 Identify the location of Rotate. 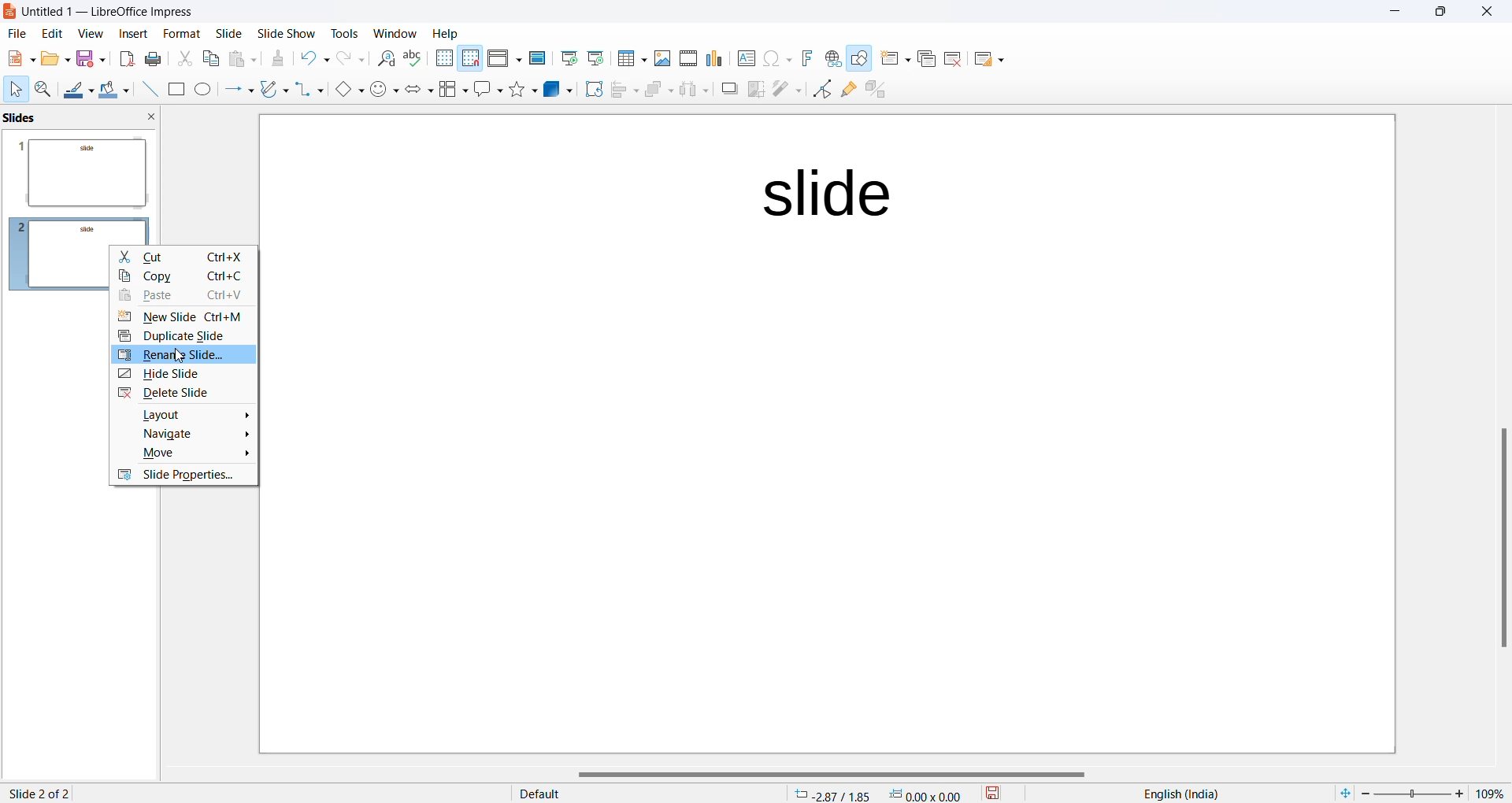
(590, 91).